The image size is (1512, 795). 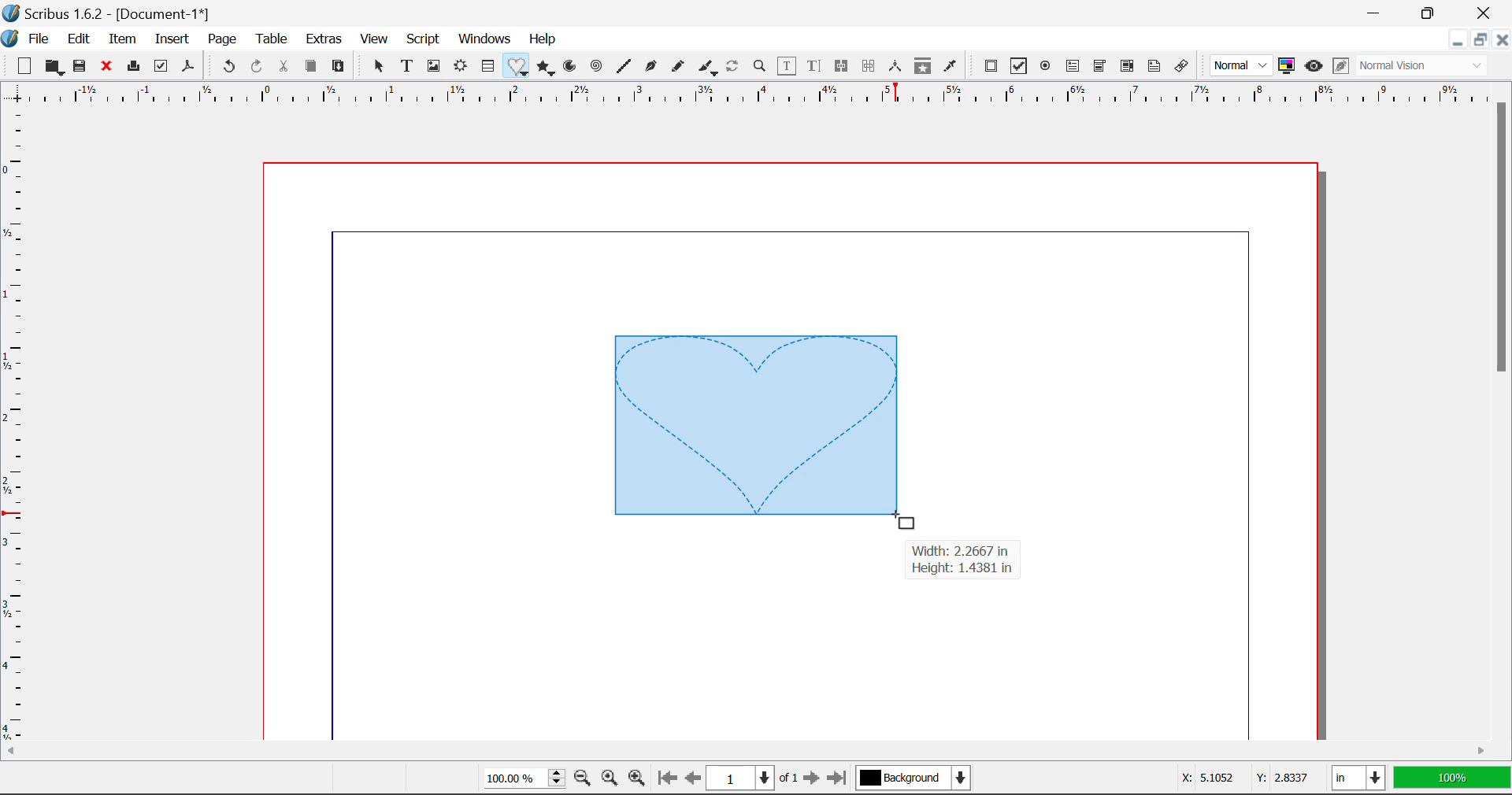 What do you see at coordinates (1243, 65) in the screenshot?
I see `Normal` at bounding box center [1243, 65].